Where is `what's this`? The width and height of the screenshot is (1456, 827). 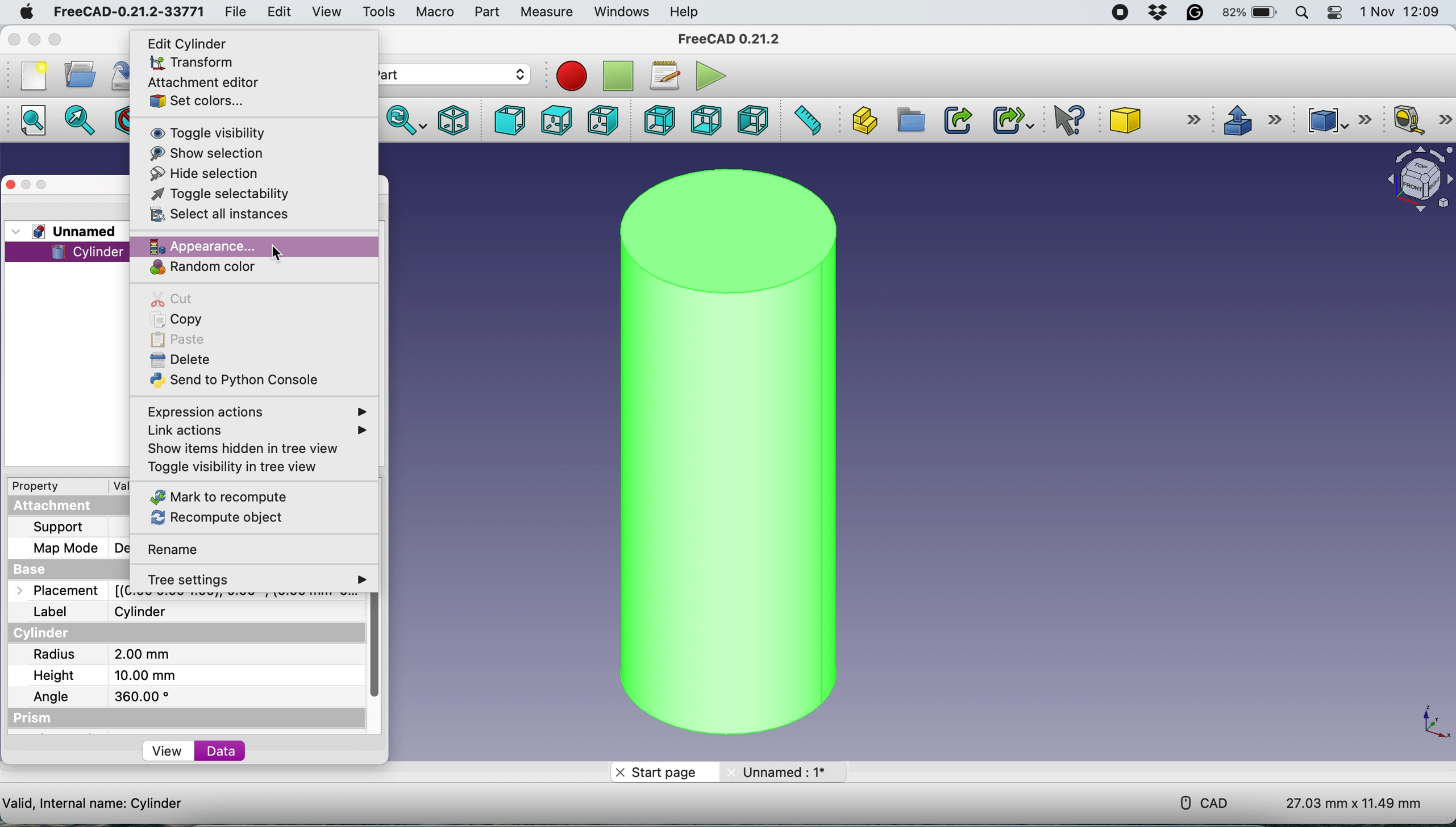 what's this is located at coordinates (1063, 120).